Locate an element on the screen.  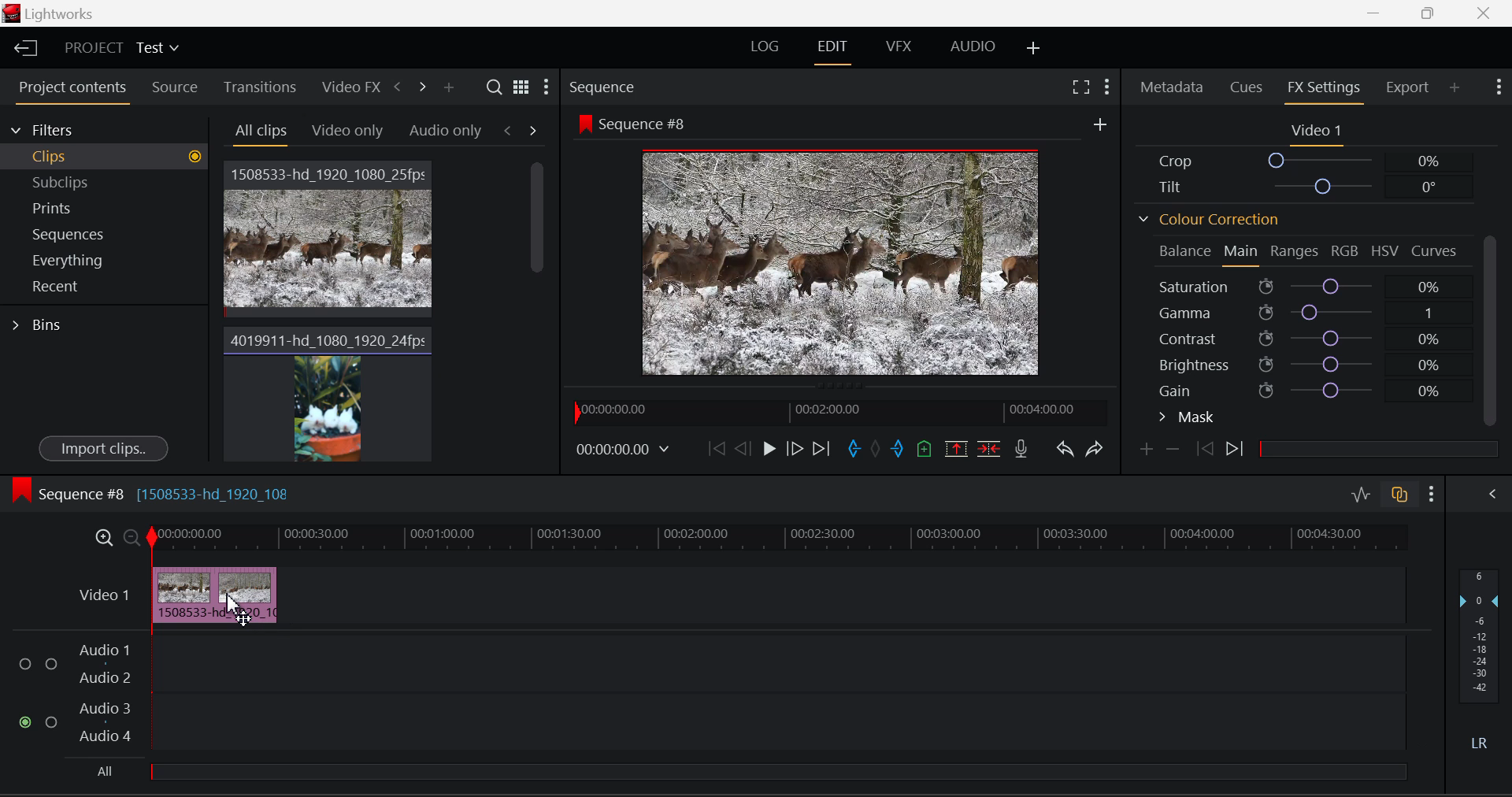
Show Settings Menu is located at coordinates (1110, 90).